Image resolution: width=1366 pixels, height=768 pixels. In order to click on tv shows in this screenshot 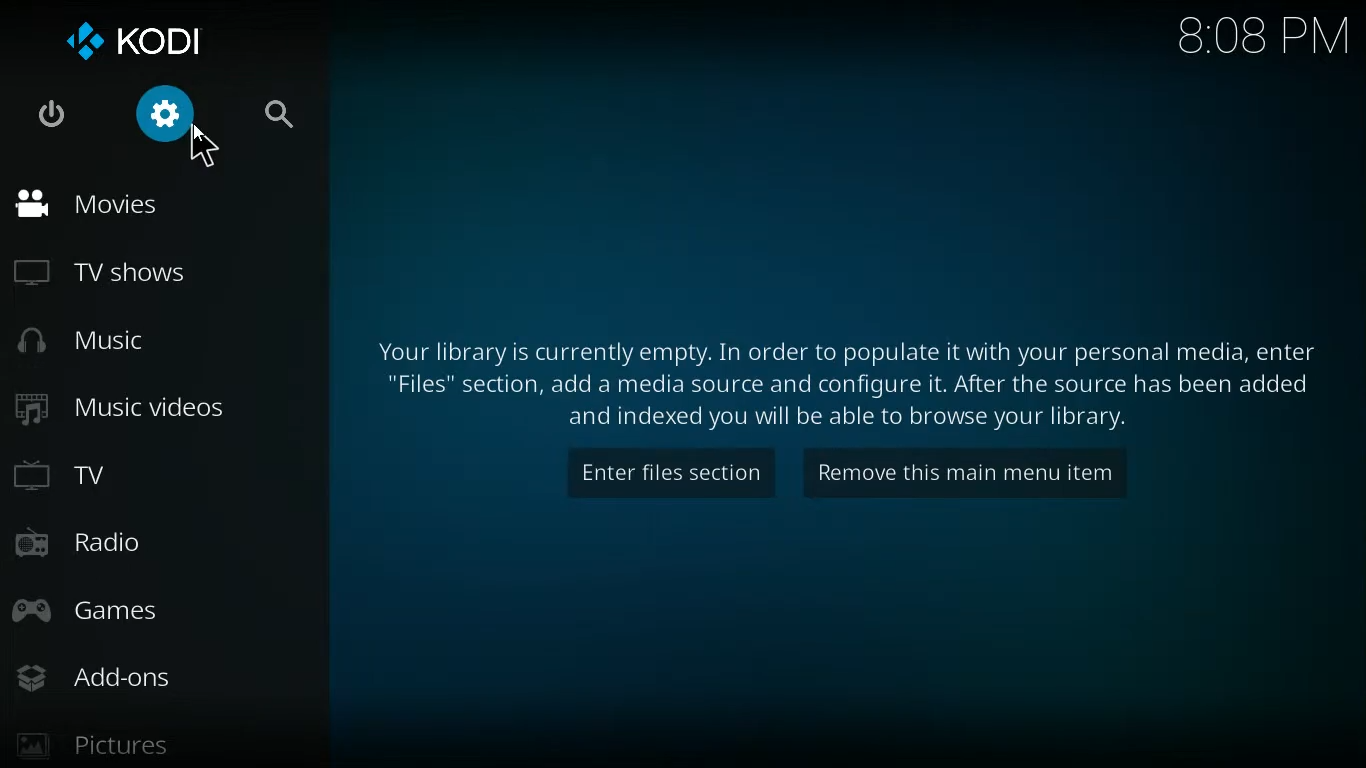, I will do `click(105, 269)`.